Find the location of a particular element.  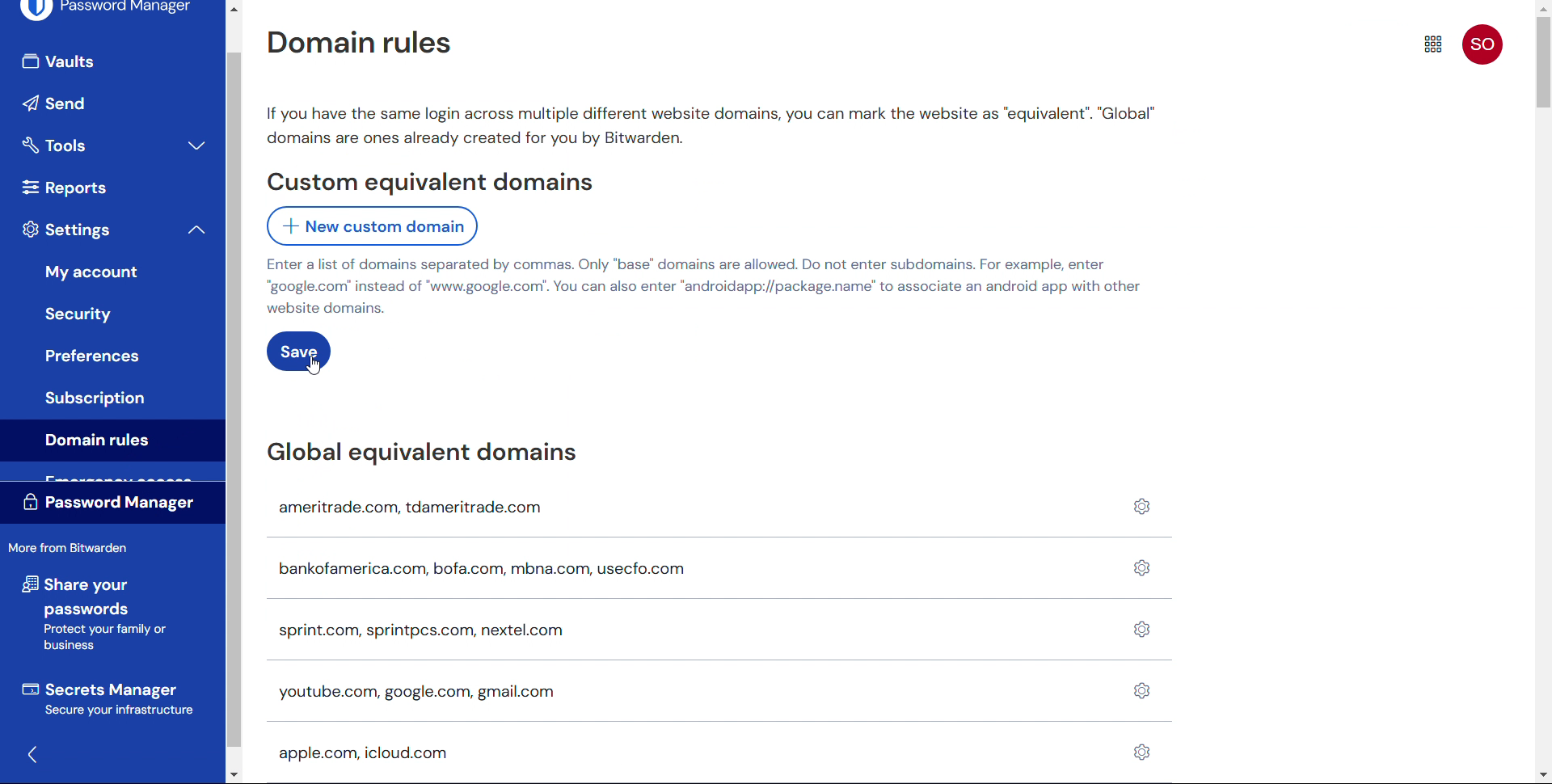

Password manager  is located at coordinates (113, 504).